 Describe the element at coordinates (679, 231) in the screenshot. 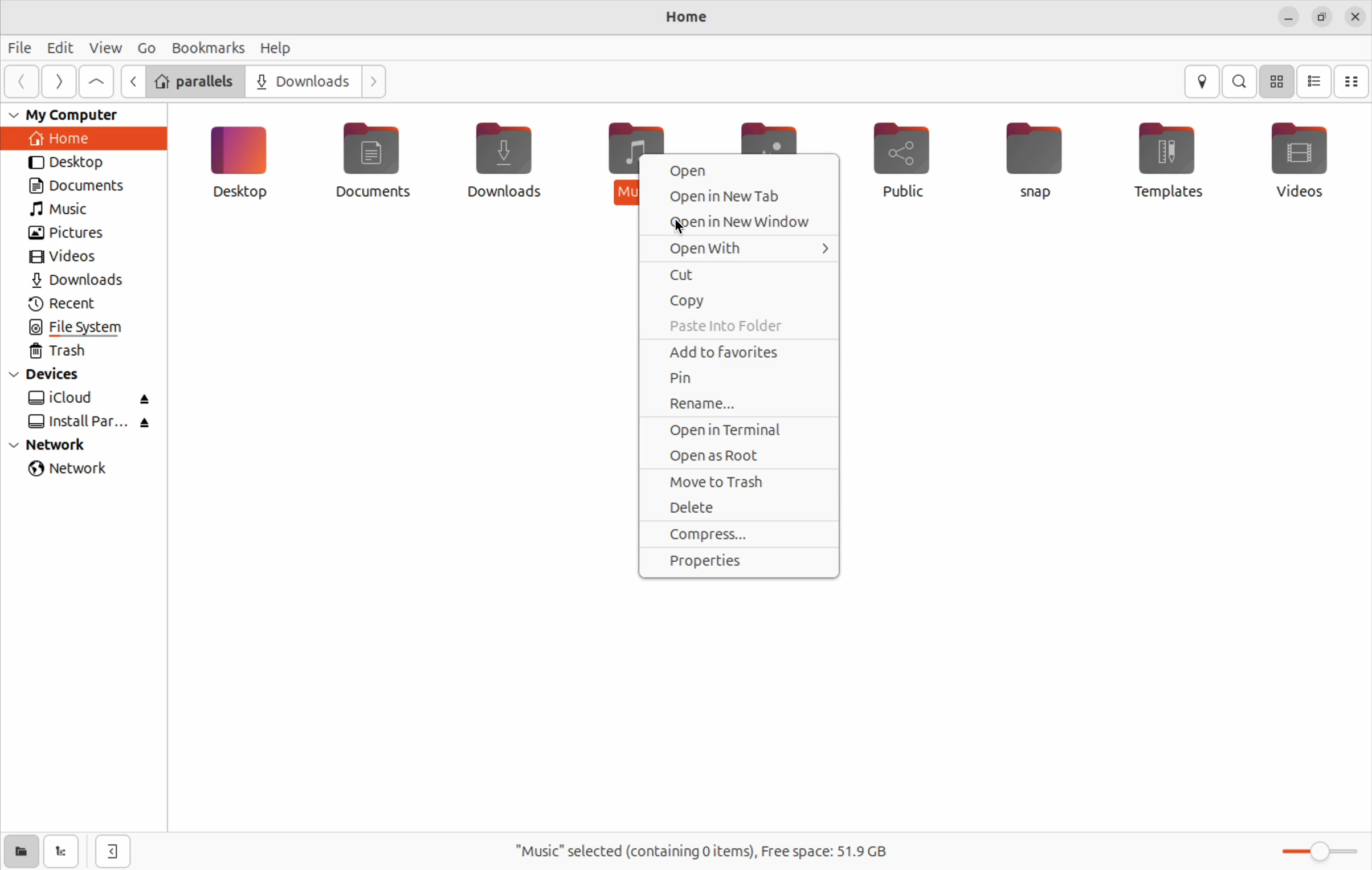

I see `cursor` at that location.